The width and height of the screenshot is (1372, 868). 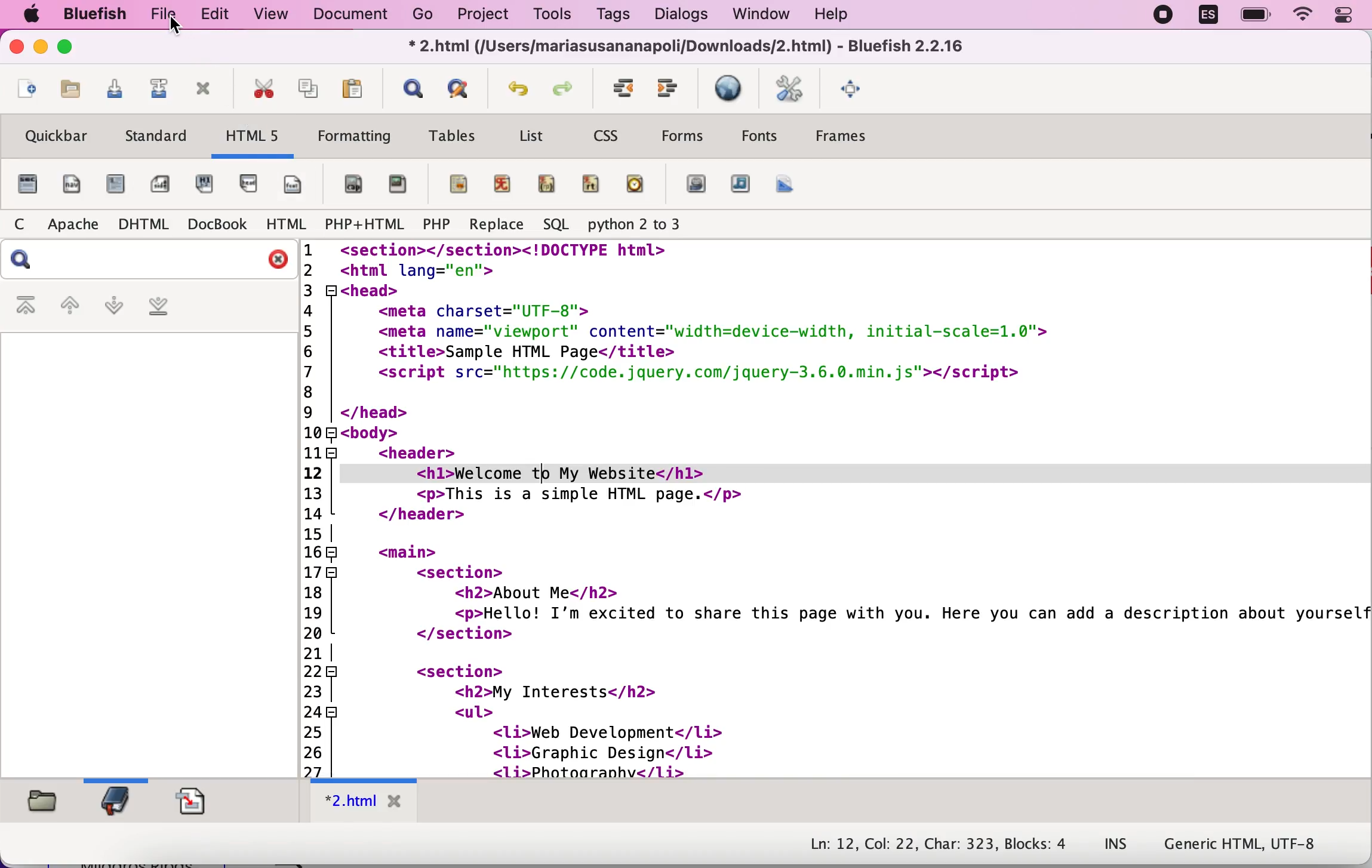 What do you see at coordinates (554, 224) in the screenshot?
I see `sql` at bounding box center [554, 224].